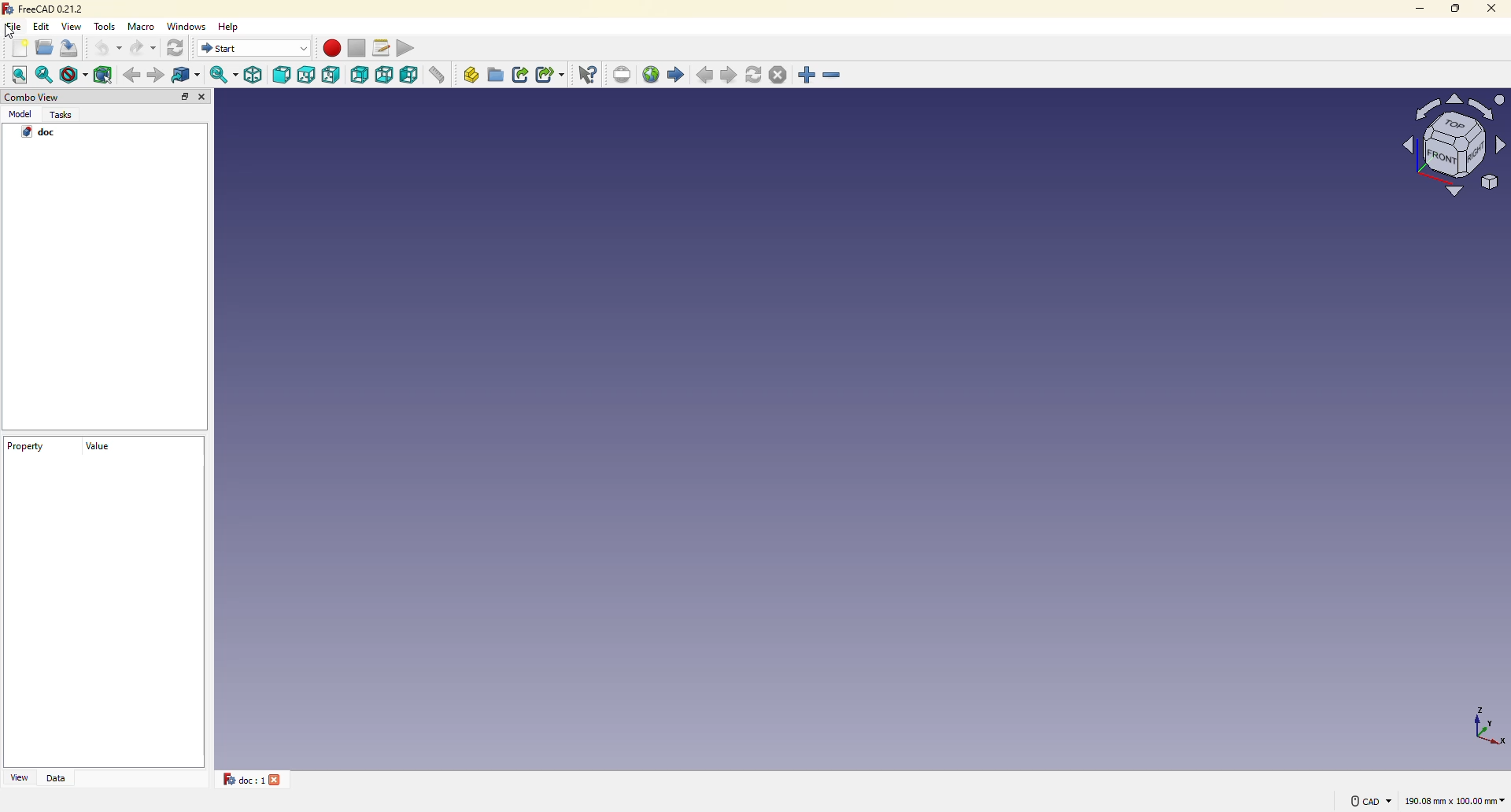  What do you see at coordinates (74, 50) in the screenshot?
I see `save` at bounding box center [74, 50].